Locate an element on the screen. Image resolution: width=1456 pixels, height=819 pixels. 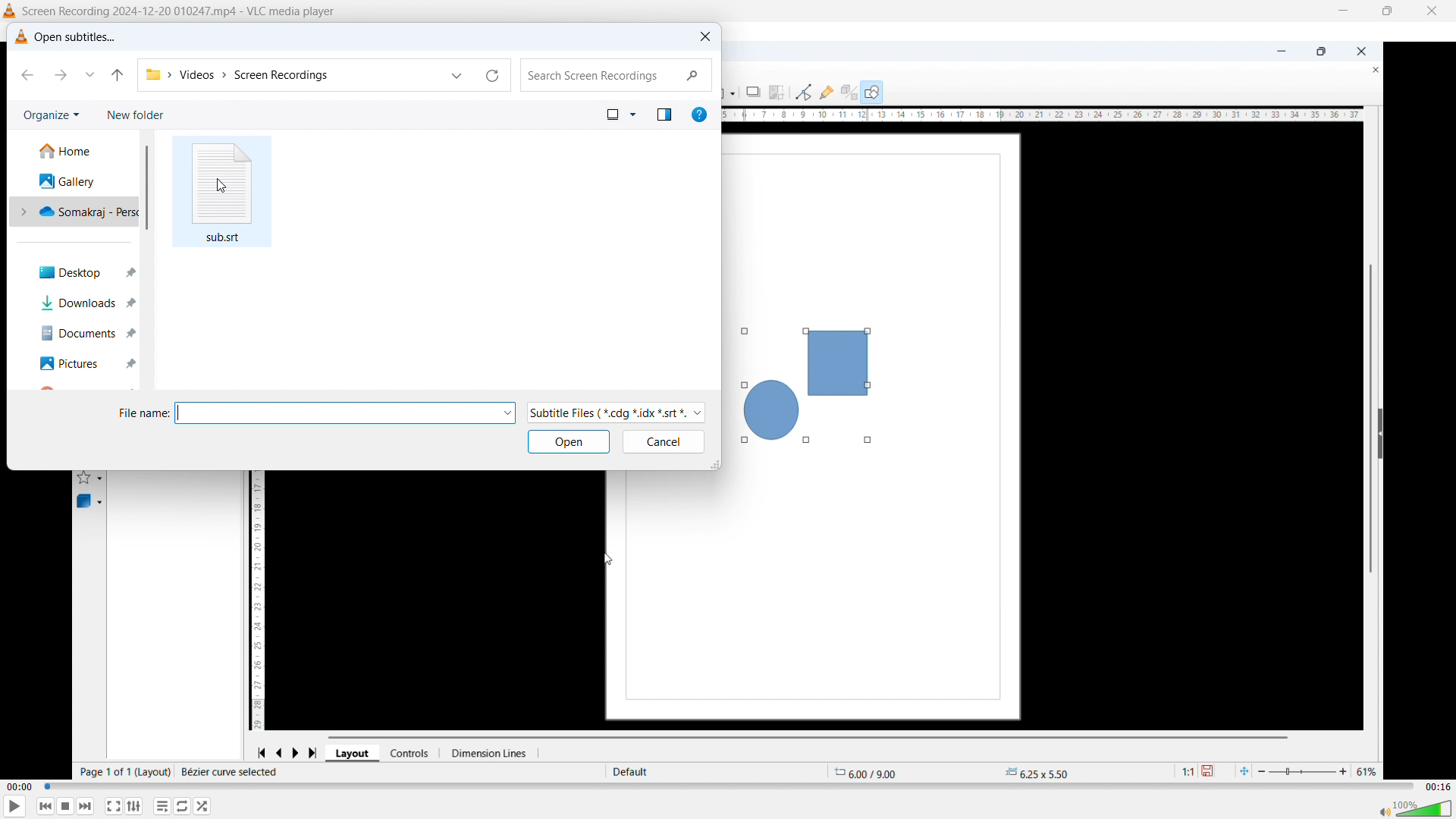
Close dialogue box  is located at coordinates (704, 36).